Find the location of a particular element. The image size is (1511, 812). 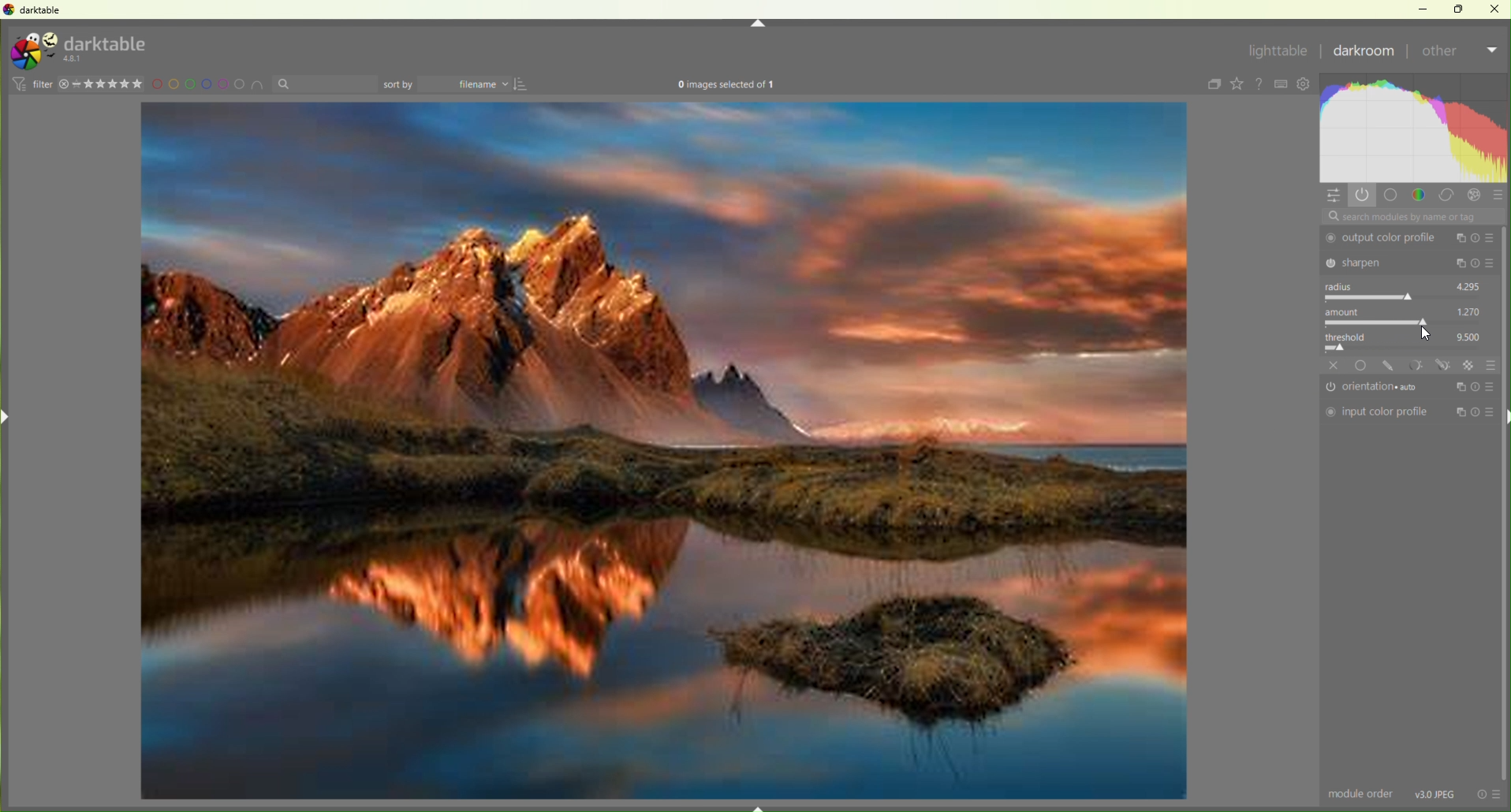

filter is located at coordinates (42, 84).